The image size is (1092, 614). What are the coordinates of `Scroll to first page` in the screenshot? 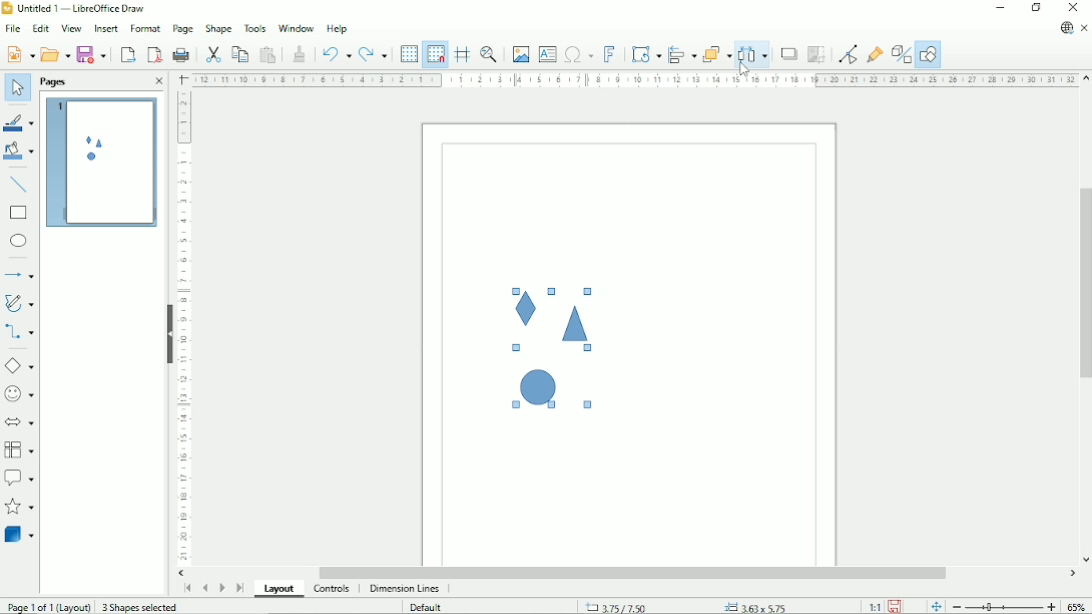 It's located at (186, 589).